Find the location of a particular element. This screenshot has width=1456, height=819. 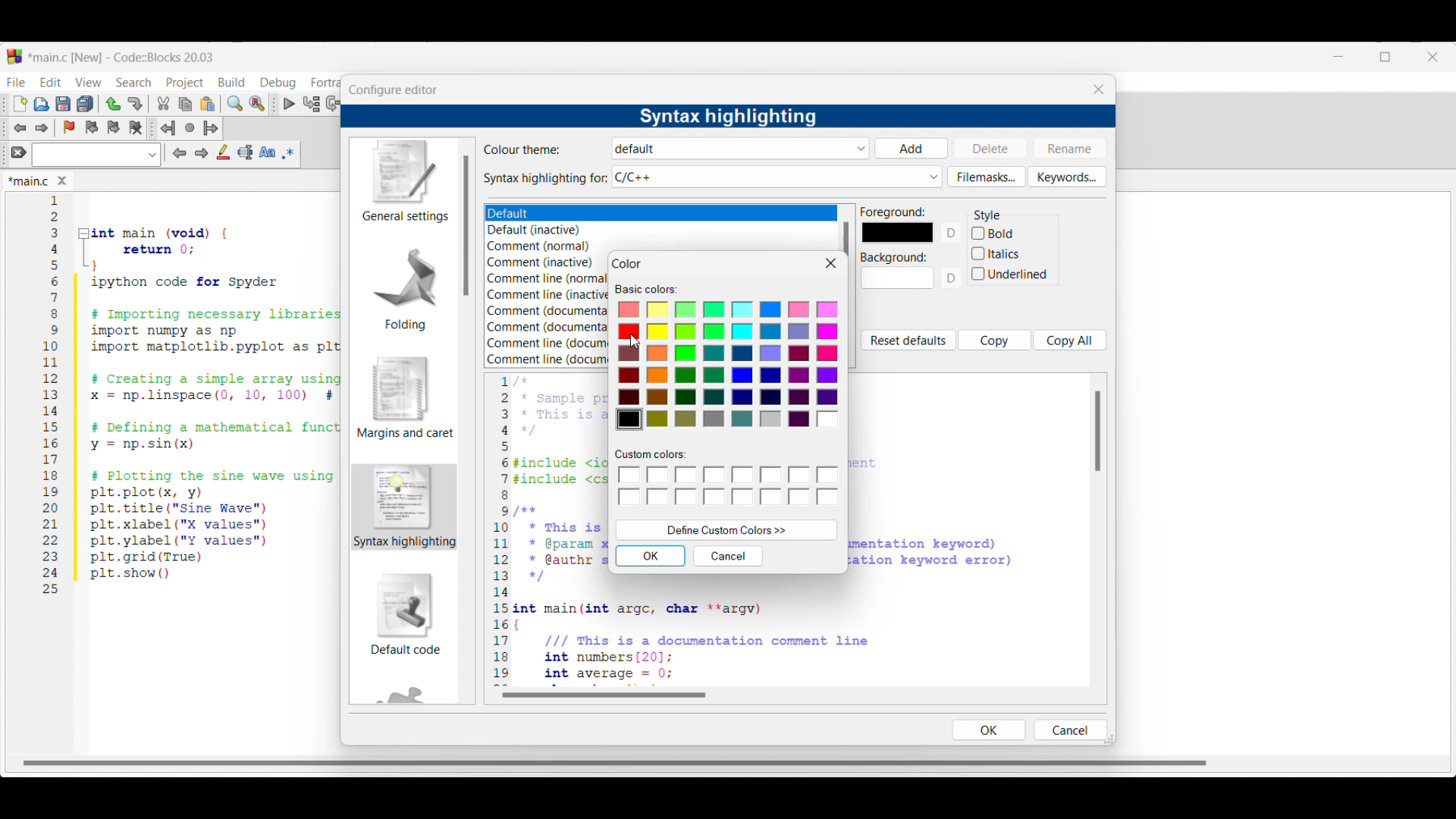

Jump forward is located at coordinates (211, 128).